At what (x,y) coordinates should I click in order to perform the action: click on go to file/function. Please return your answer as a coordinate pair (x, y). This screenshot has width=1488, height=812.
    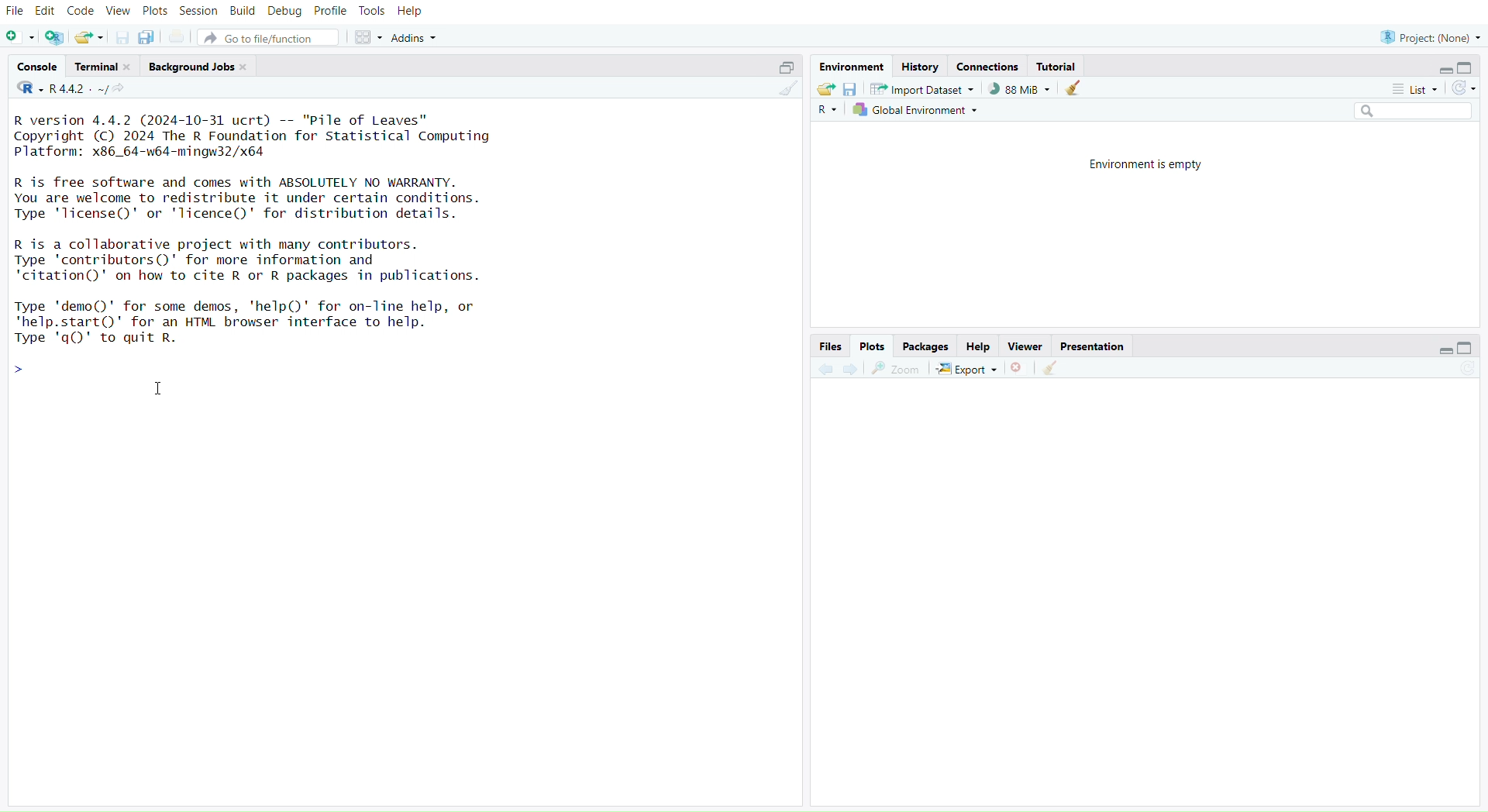
    Looking at the image, I should click on (268, 39).